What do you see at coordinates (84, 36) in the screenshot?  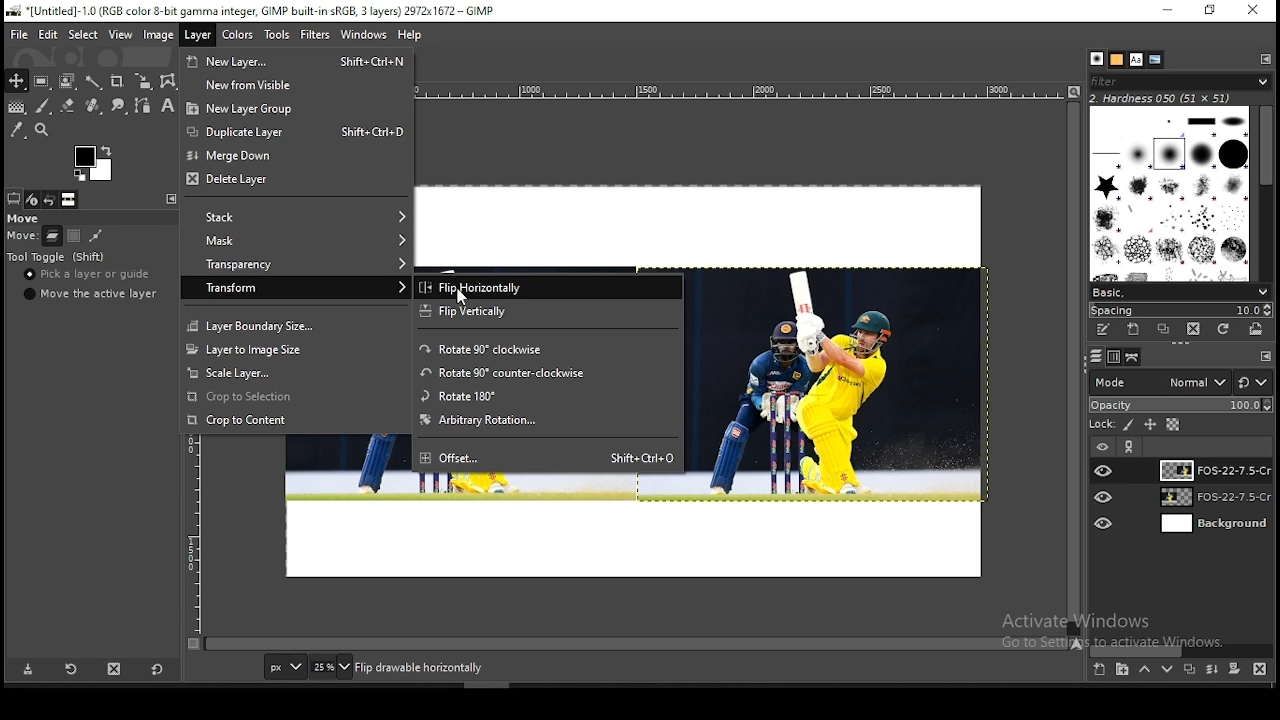 I see `select` at bounding box center [84, 36].